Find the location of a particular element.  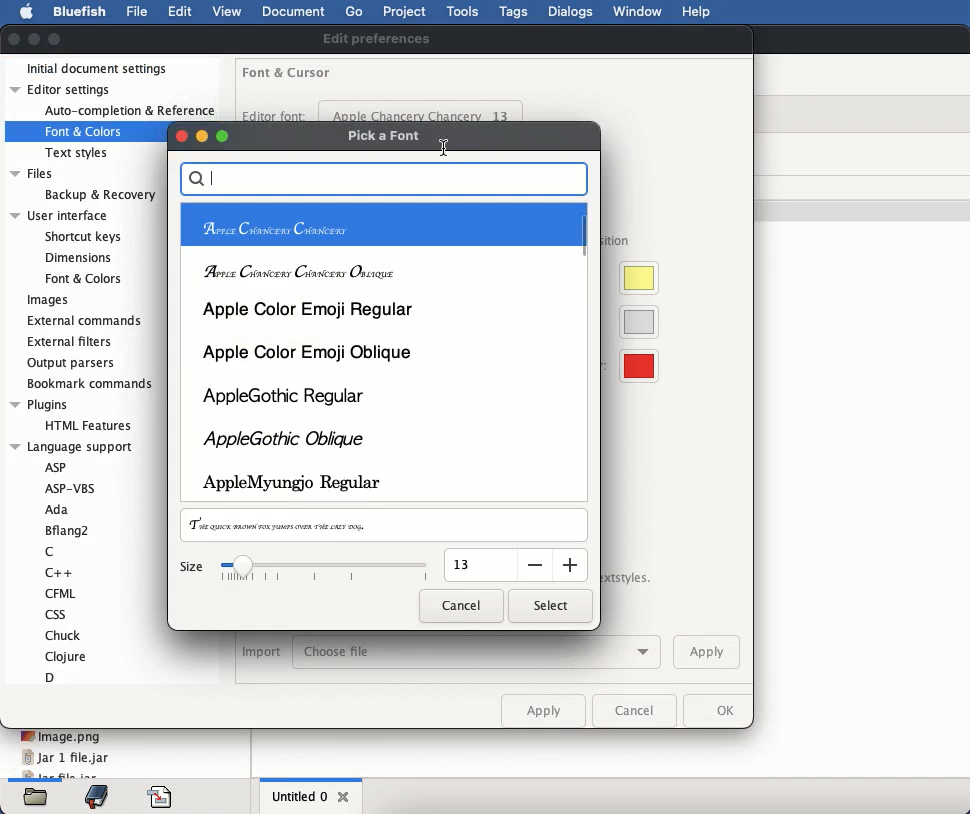

editor font is located at coordinates (276, 119).